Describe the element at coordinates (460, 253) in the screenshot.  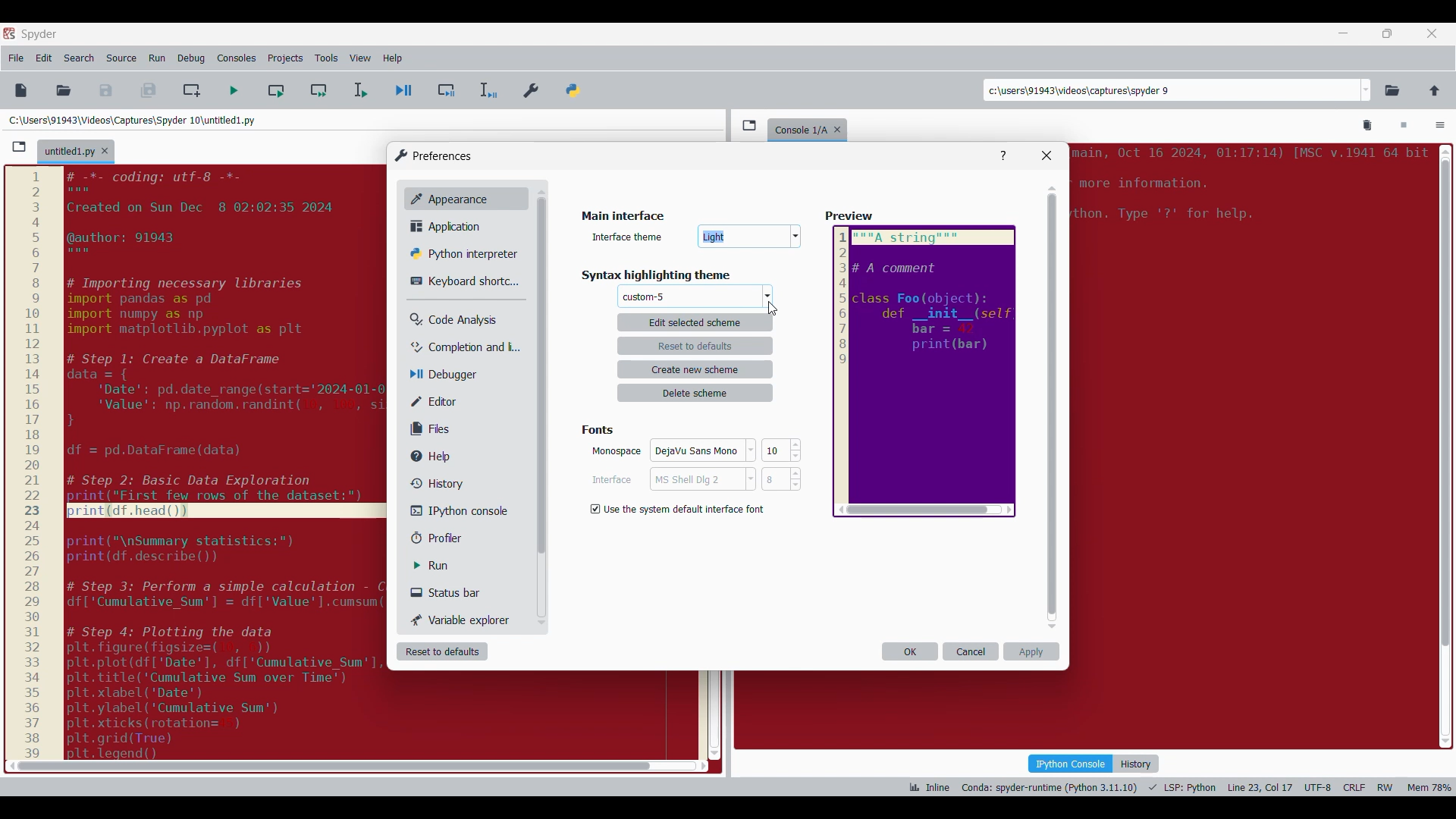
I see `Python interpreter` at that location.